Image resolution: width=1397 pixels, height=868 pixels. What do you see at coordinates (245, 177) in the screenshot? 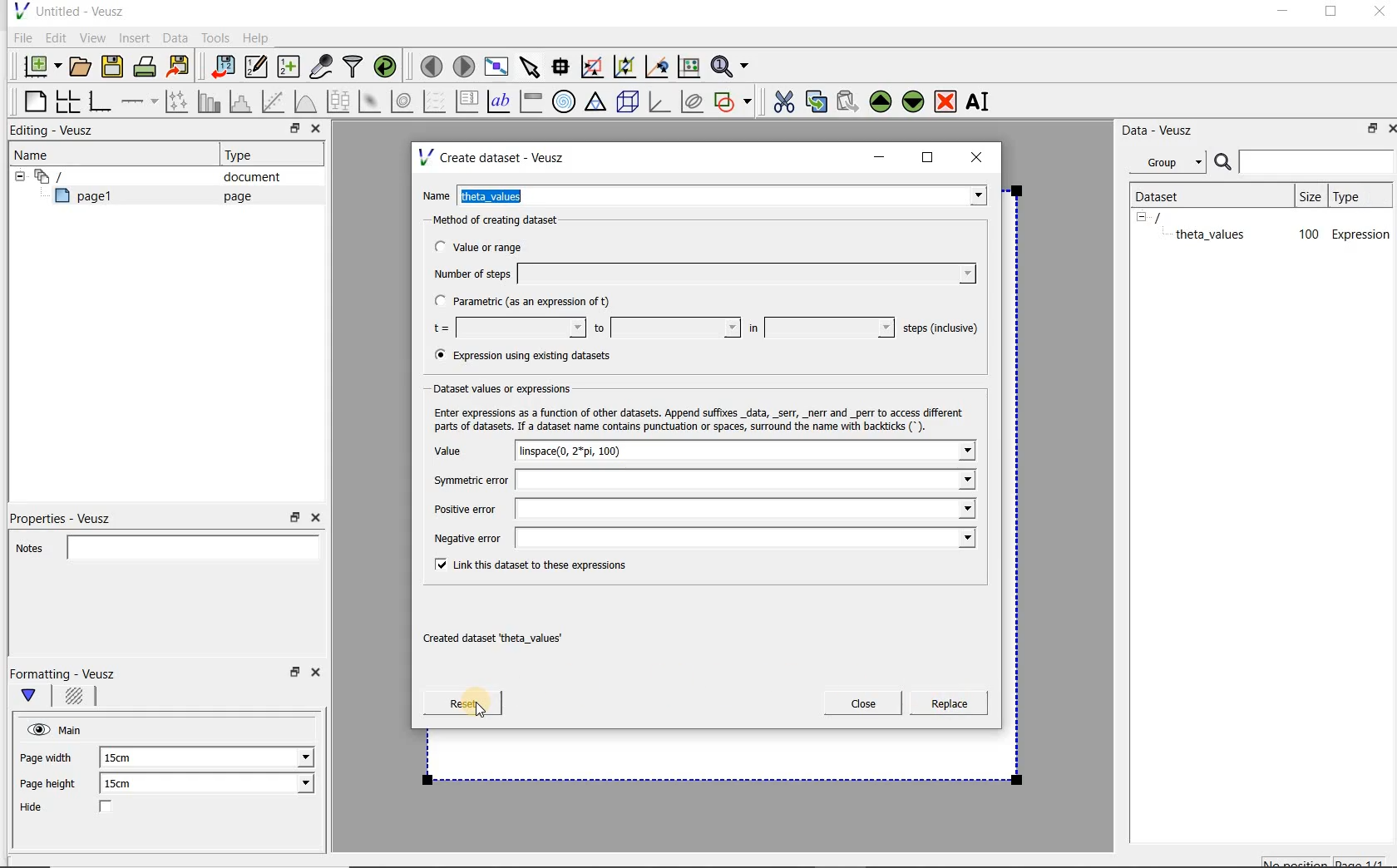
I see `document` at bounding box center [245, 177].